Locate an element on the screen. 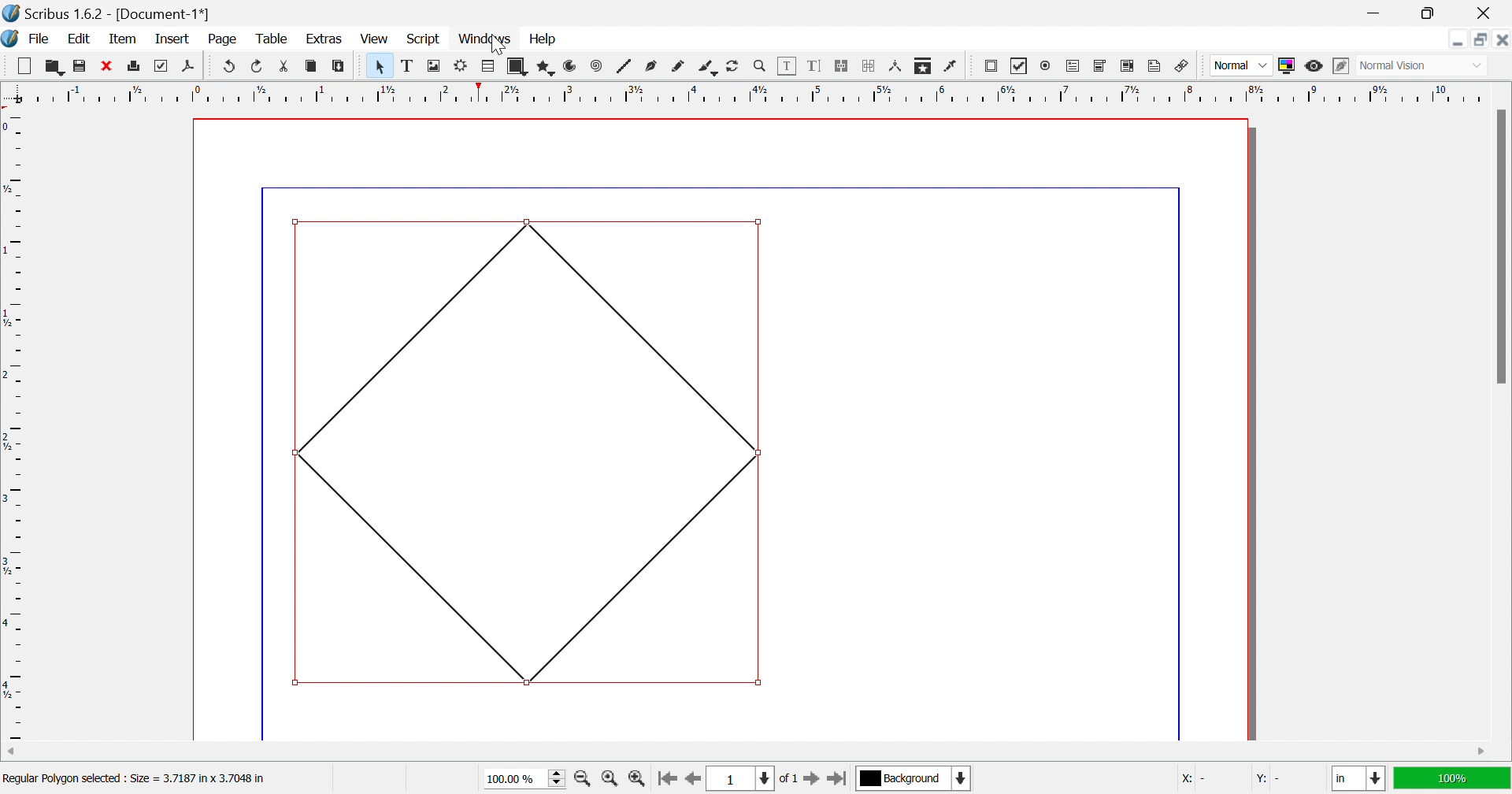 Image resolution: width=1512 pixels, height=794 pixels. Undo is located at coordinates (230, 66).